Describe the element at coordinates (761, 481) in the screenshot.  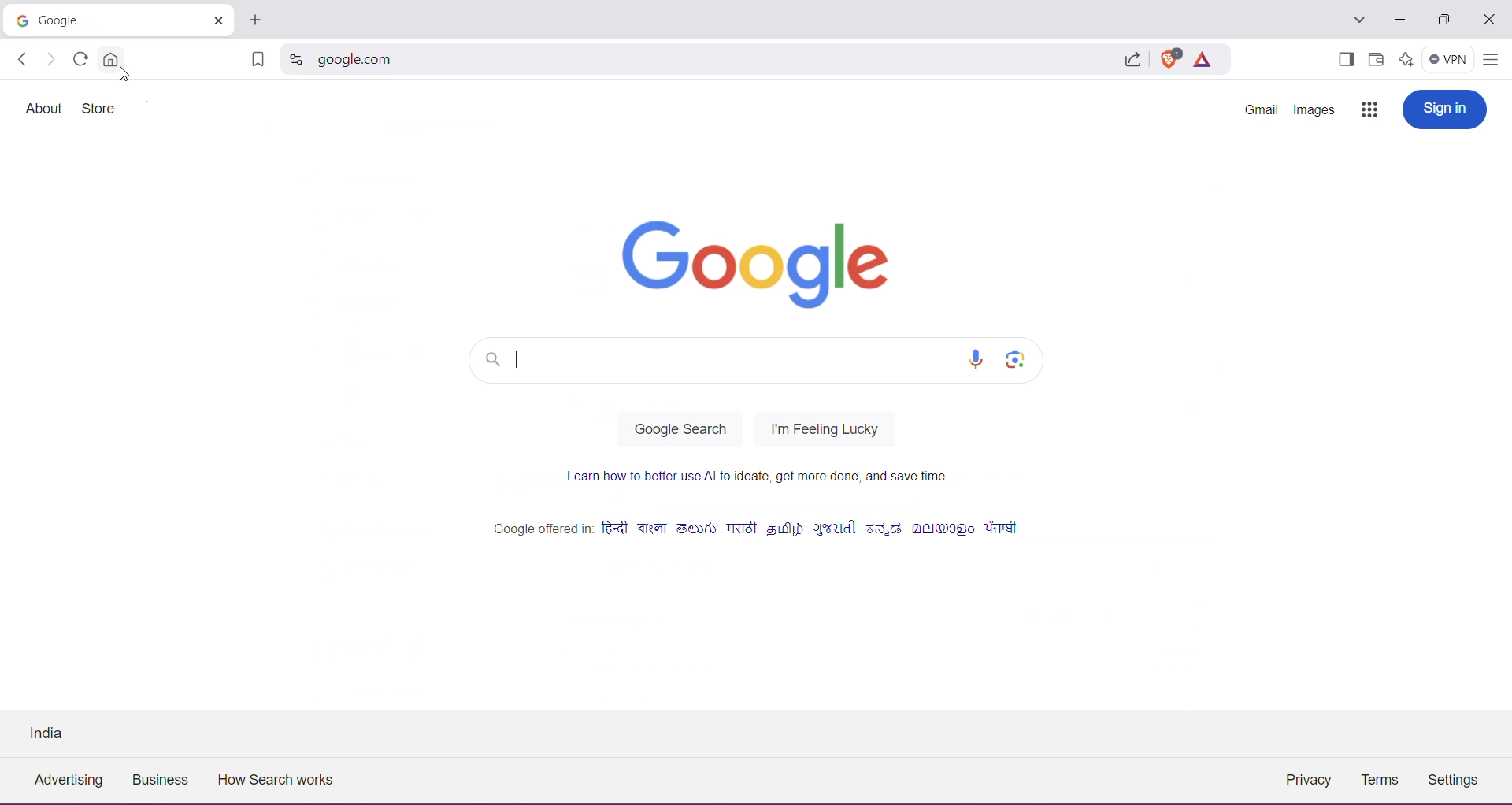
I see `Learn how to better use AI to ideate, get more done and save time` at that location.